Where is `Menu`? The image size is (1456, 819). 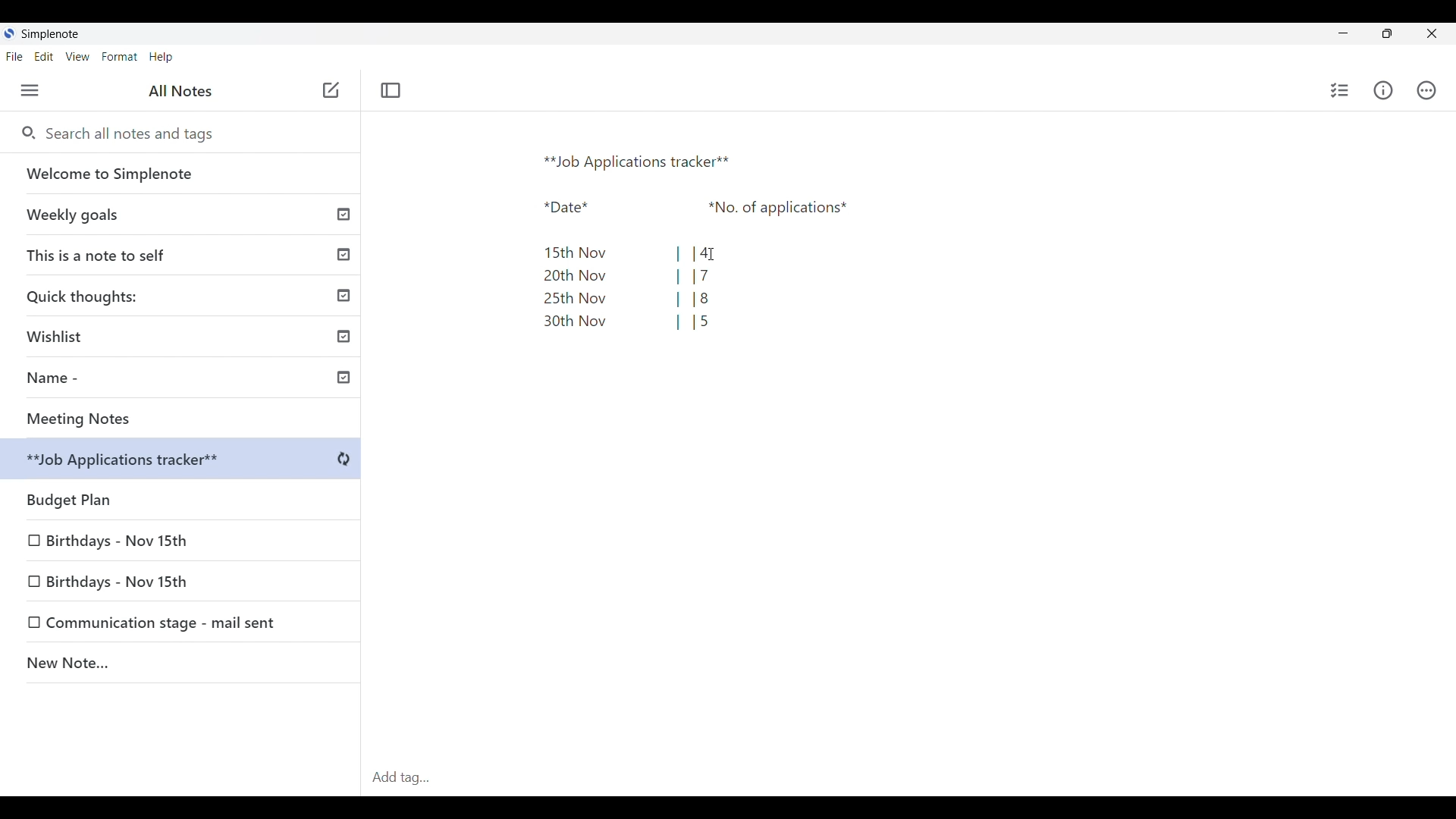 Menu is located at coordinates (30, 90).